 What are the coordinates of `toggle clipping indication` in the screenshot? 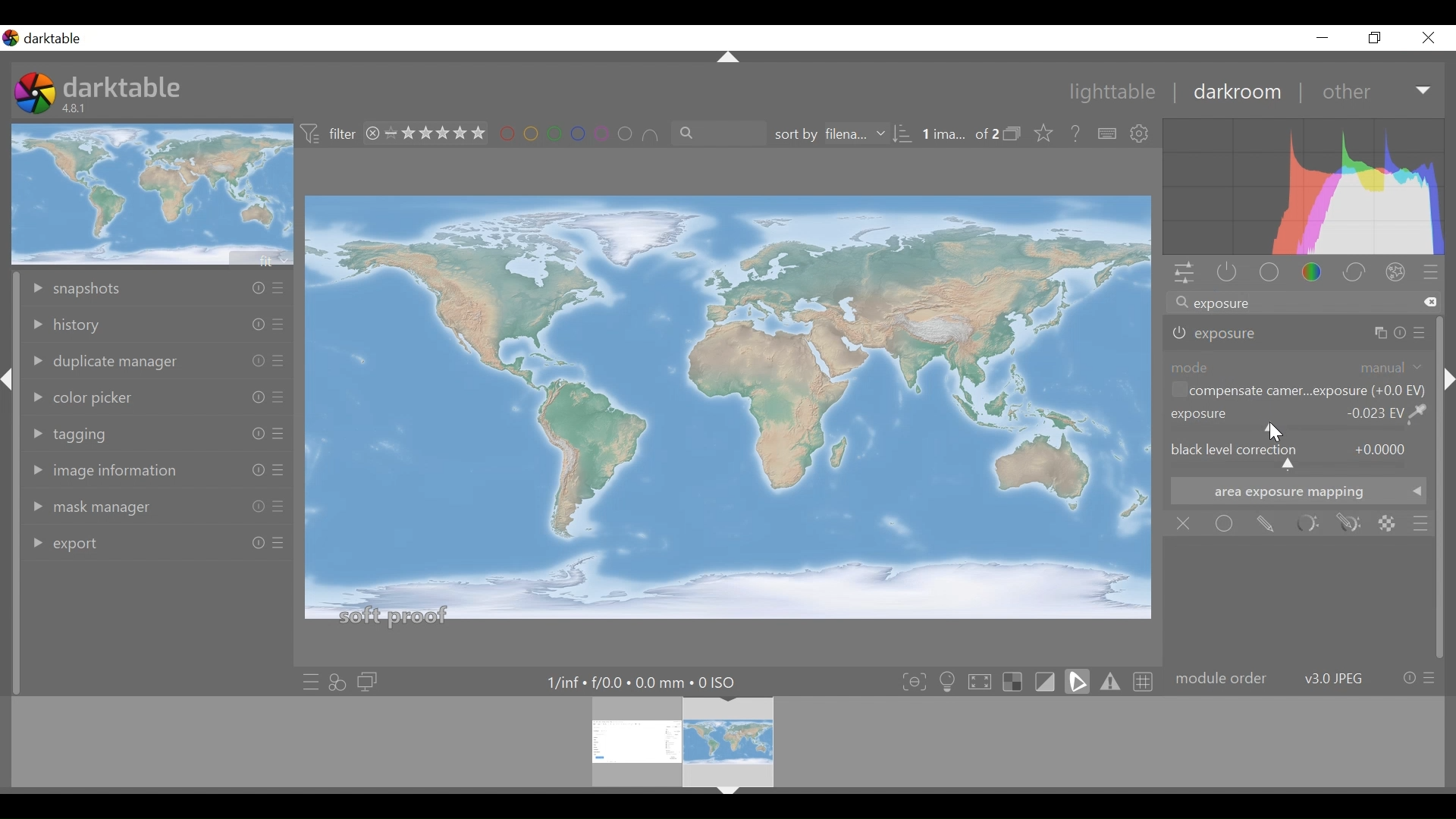 It's located at (1047, 681).